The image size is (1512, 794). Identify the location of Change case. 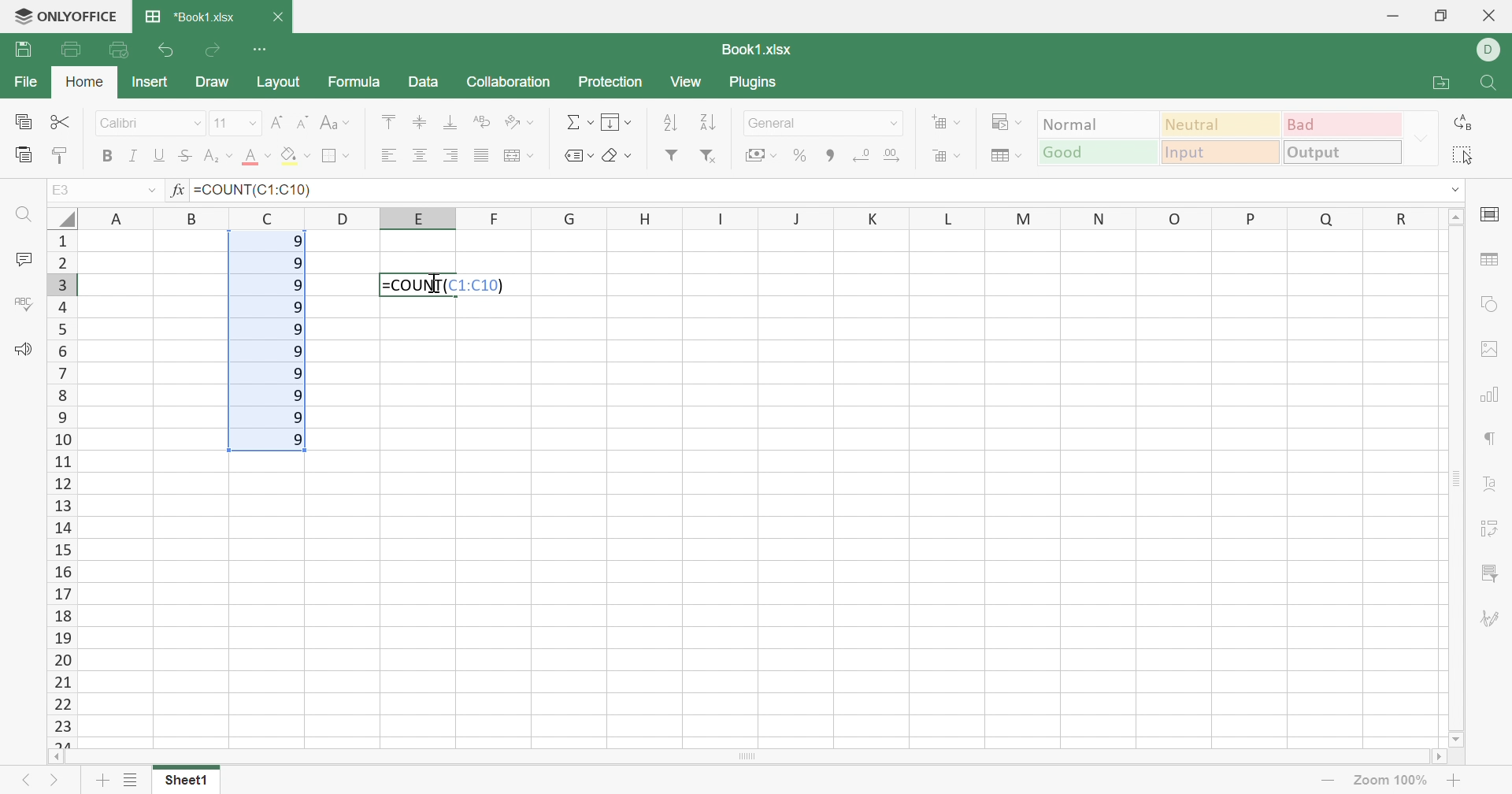
(336, 123).